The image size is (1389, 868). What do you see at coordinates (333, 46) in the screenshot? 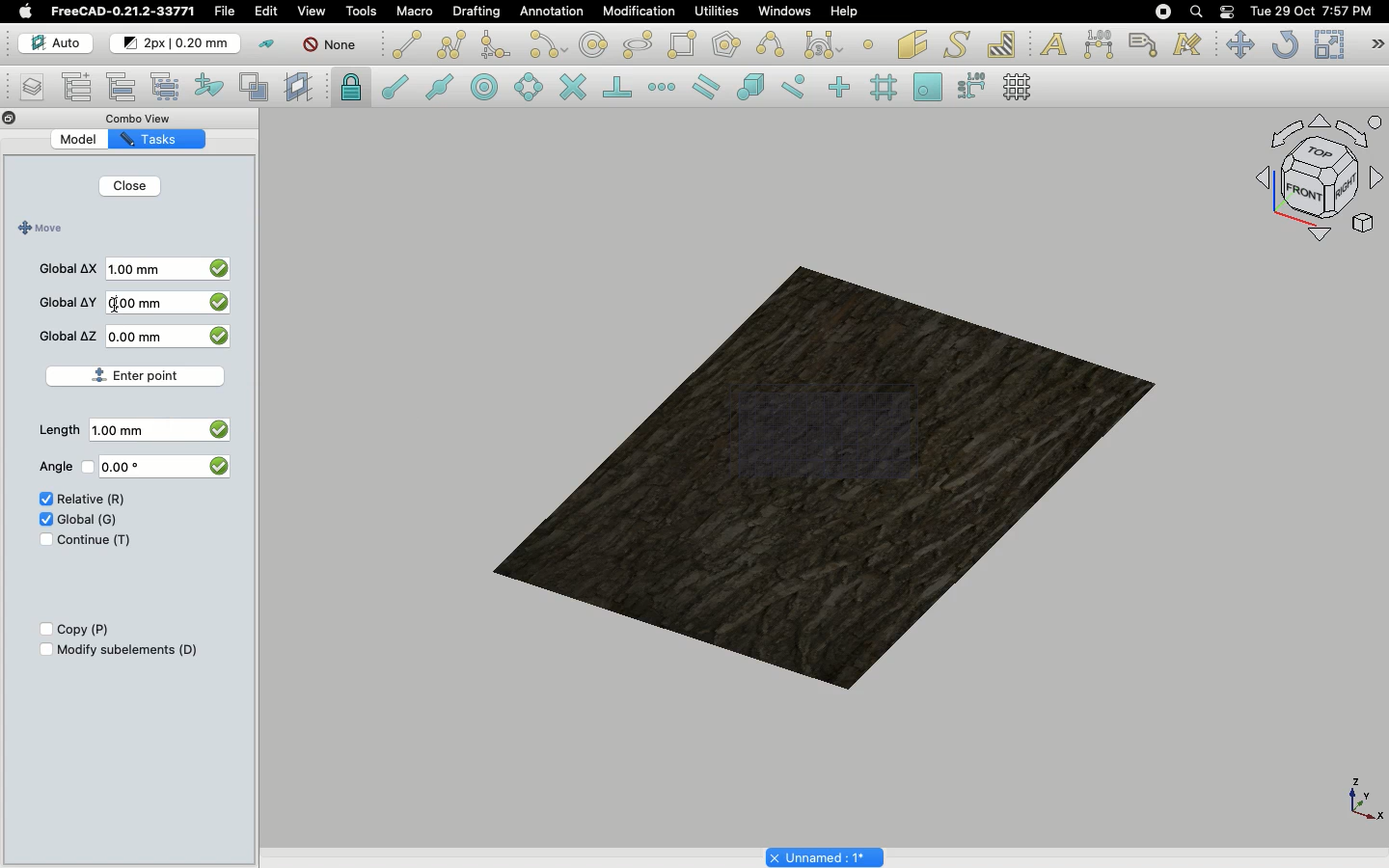
I see `Autogroup off` at bounding box center [333, 46].